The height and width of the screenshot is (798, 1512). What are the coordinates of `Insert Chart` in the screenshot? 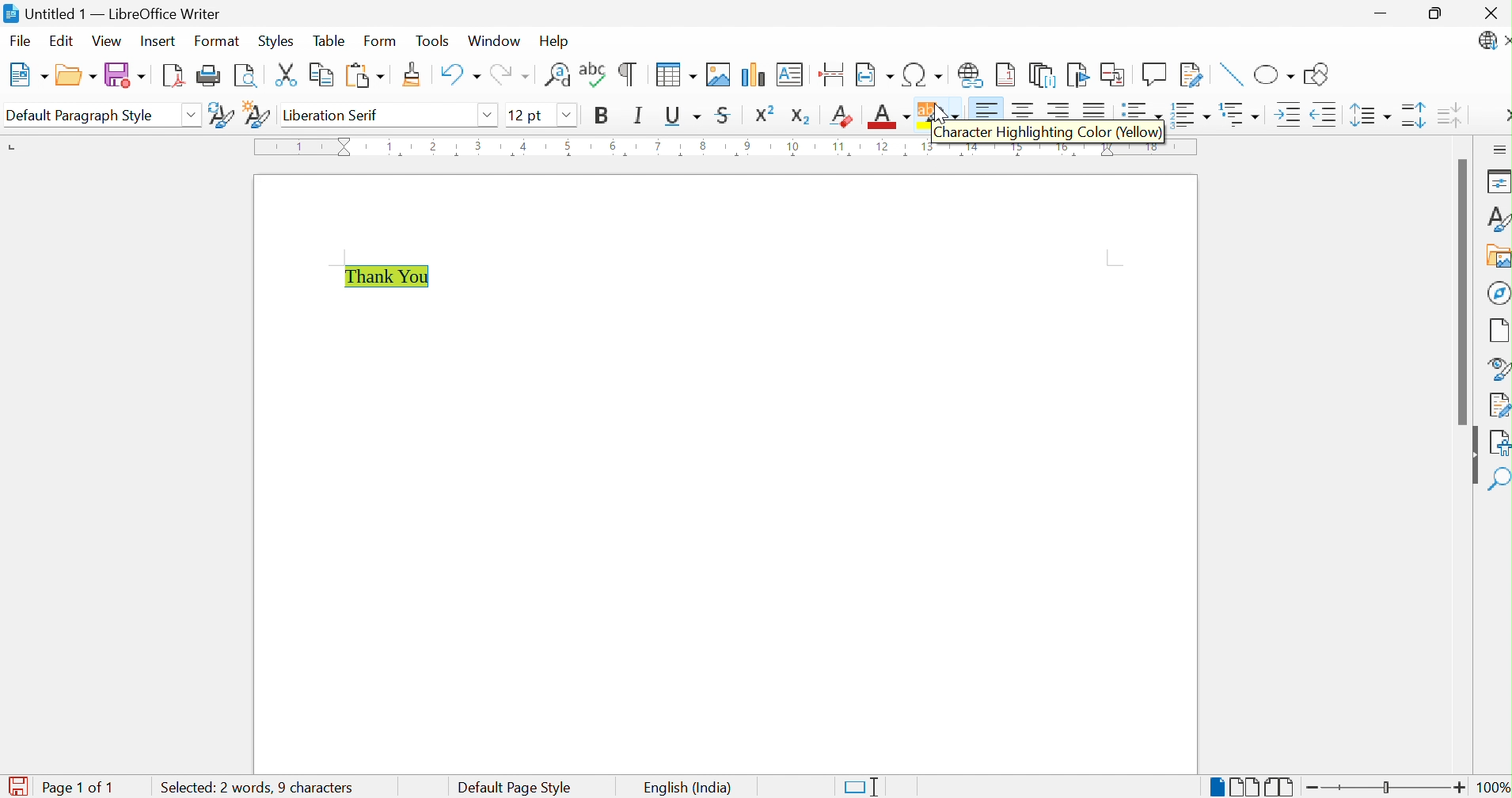 It's located at (752, 74).